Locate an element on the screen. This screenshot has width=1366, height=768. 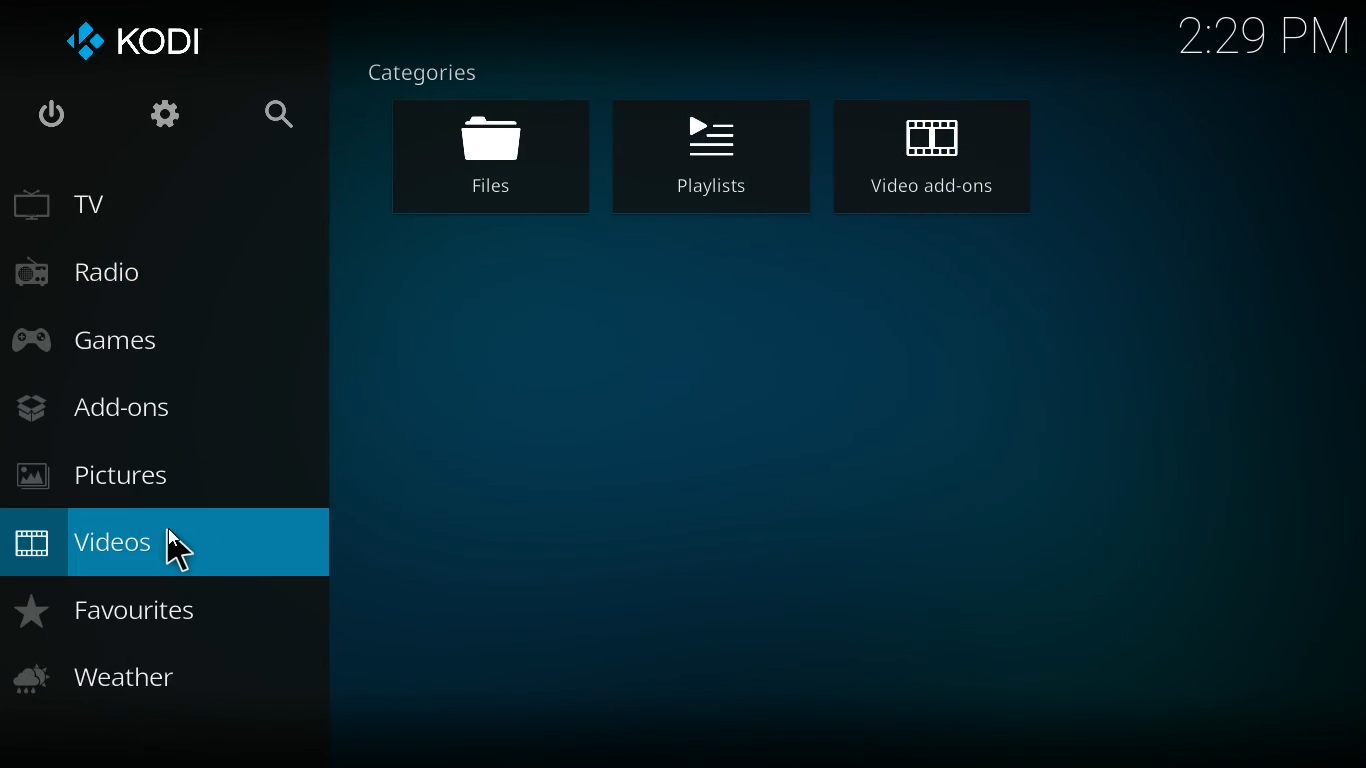
tv is located at coordinates (158, 208).